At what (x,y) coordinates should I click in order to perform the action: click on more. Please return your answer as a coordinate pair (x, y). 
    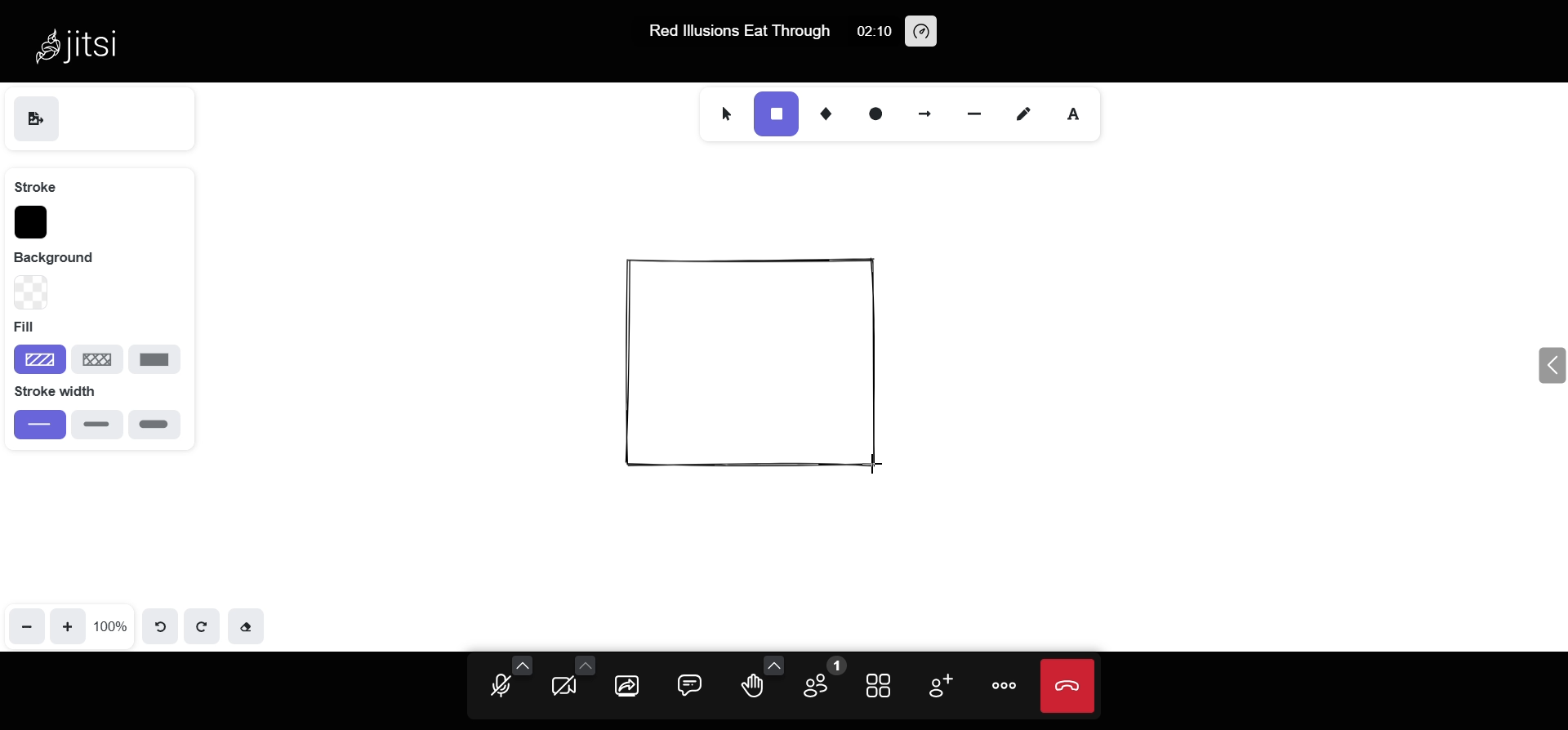
    Looking at the image, I should click on (1006, 686).